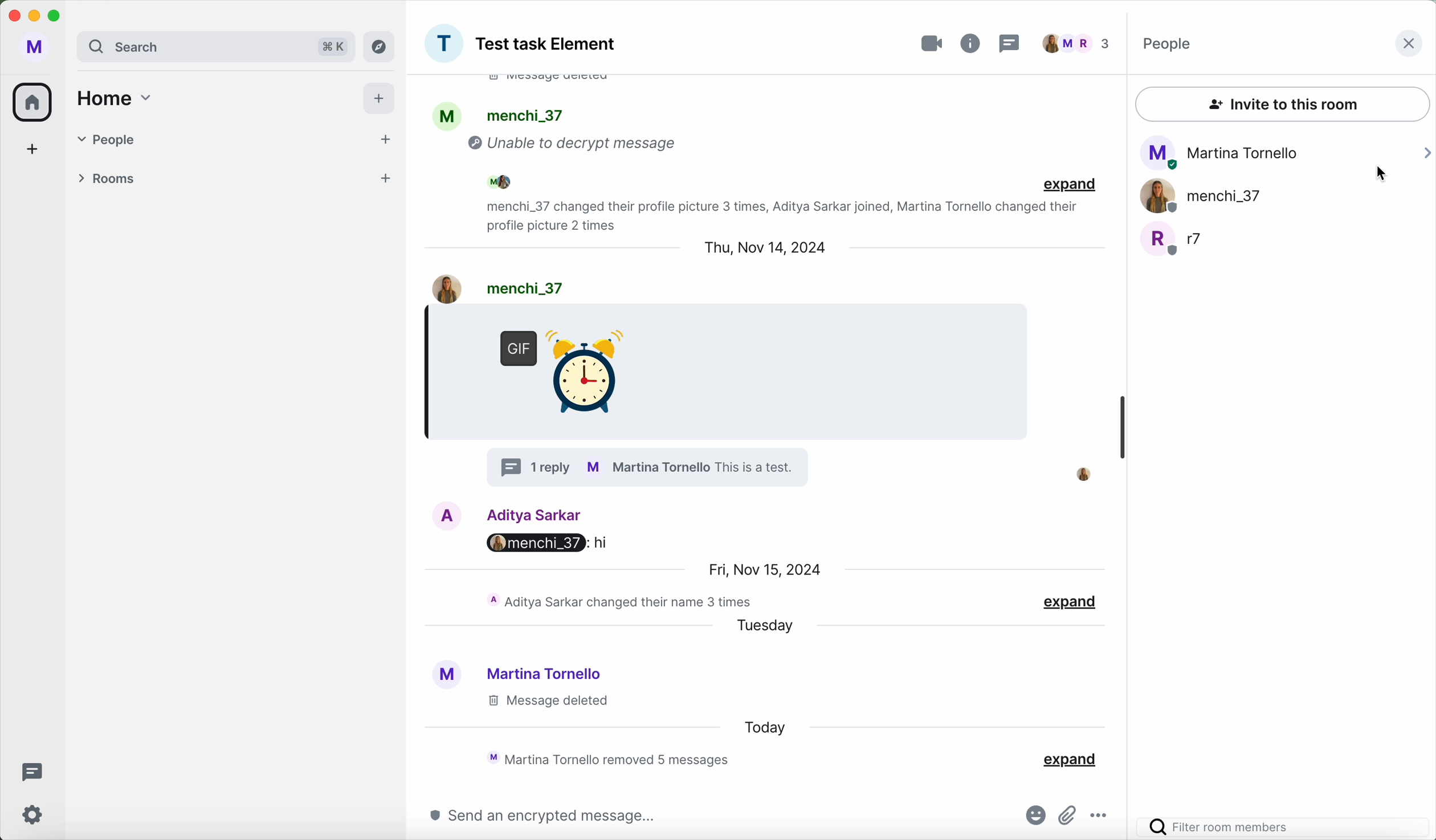  I want to click on activity chat, so click(776, 215).